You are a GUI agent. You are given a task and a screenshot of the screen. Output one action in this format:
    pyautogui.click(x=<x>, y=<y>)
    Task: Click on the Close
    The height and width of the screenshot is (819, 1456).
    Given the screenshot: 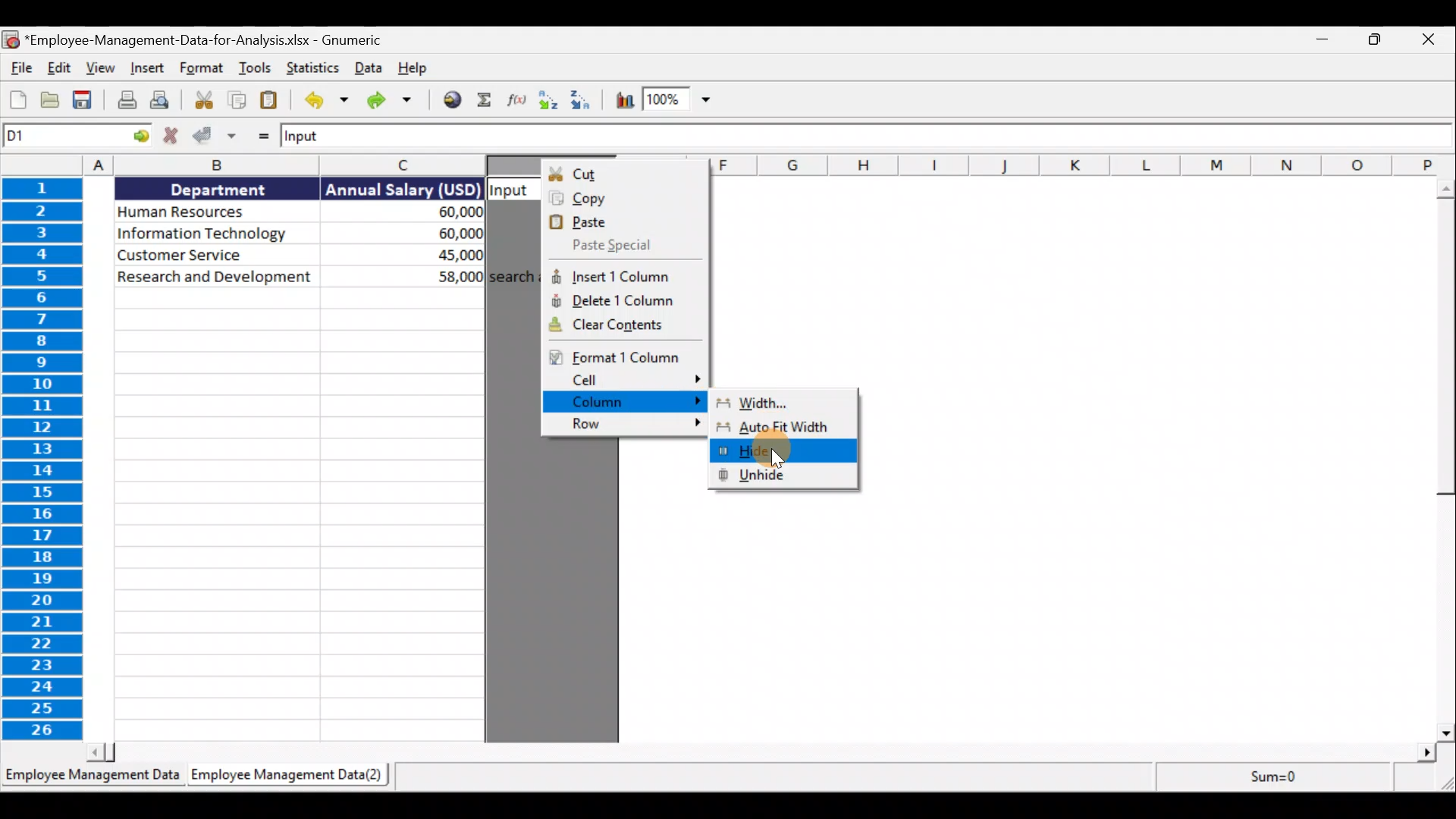 What is the action you would take?
    pyautogui.click(x=1432, y=38)
    